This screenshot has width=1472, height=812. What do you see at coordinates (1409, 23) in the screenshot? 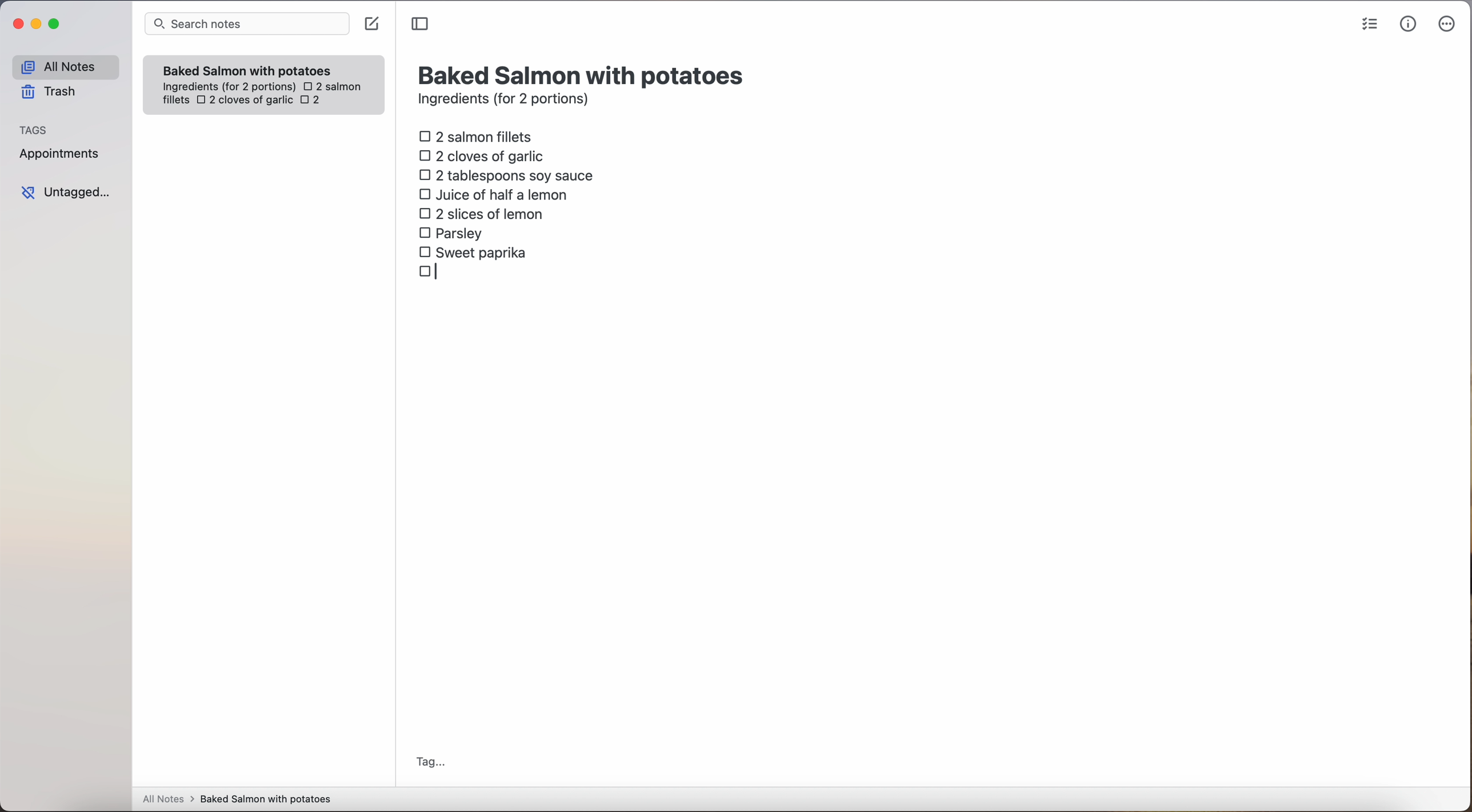
I see `metrics` at bounding box center [1409, 23].